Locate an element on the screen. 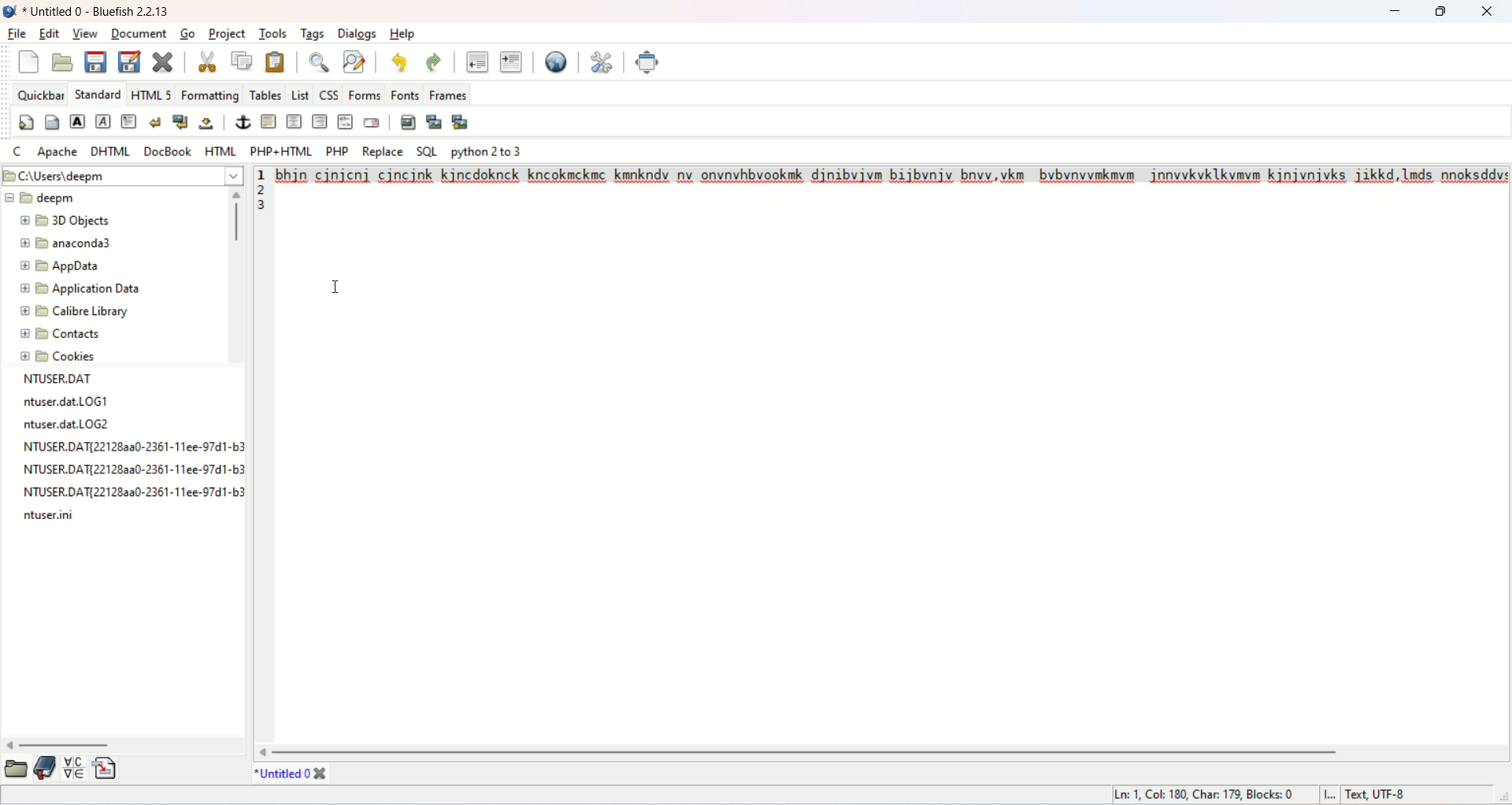 The width and height of the screenshot is (1512, 805). show find bar is located at coordinates (319, 62).